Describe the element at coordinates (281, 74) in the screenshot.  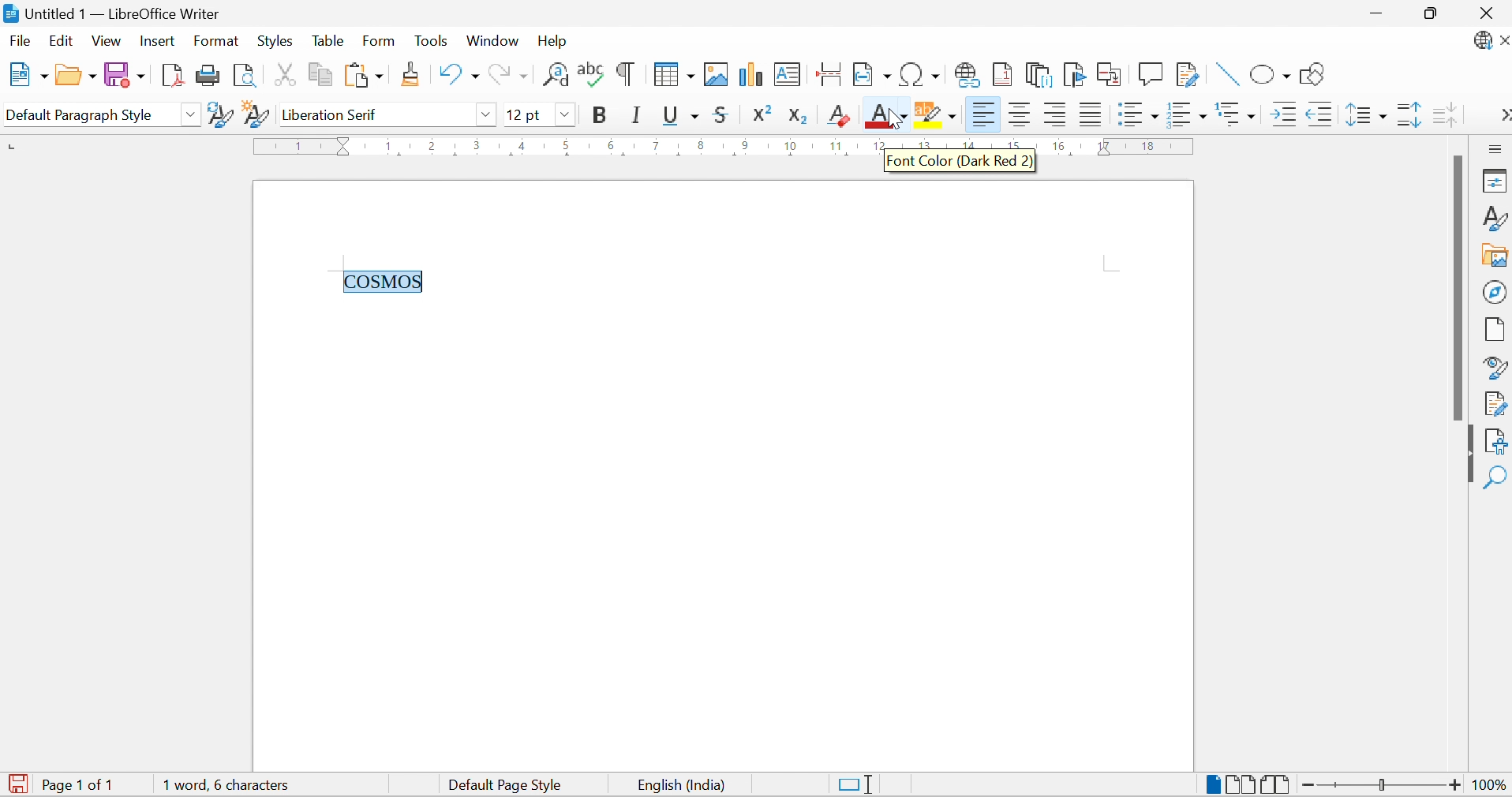
I see `Cut` at that location.